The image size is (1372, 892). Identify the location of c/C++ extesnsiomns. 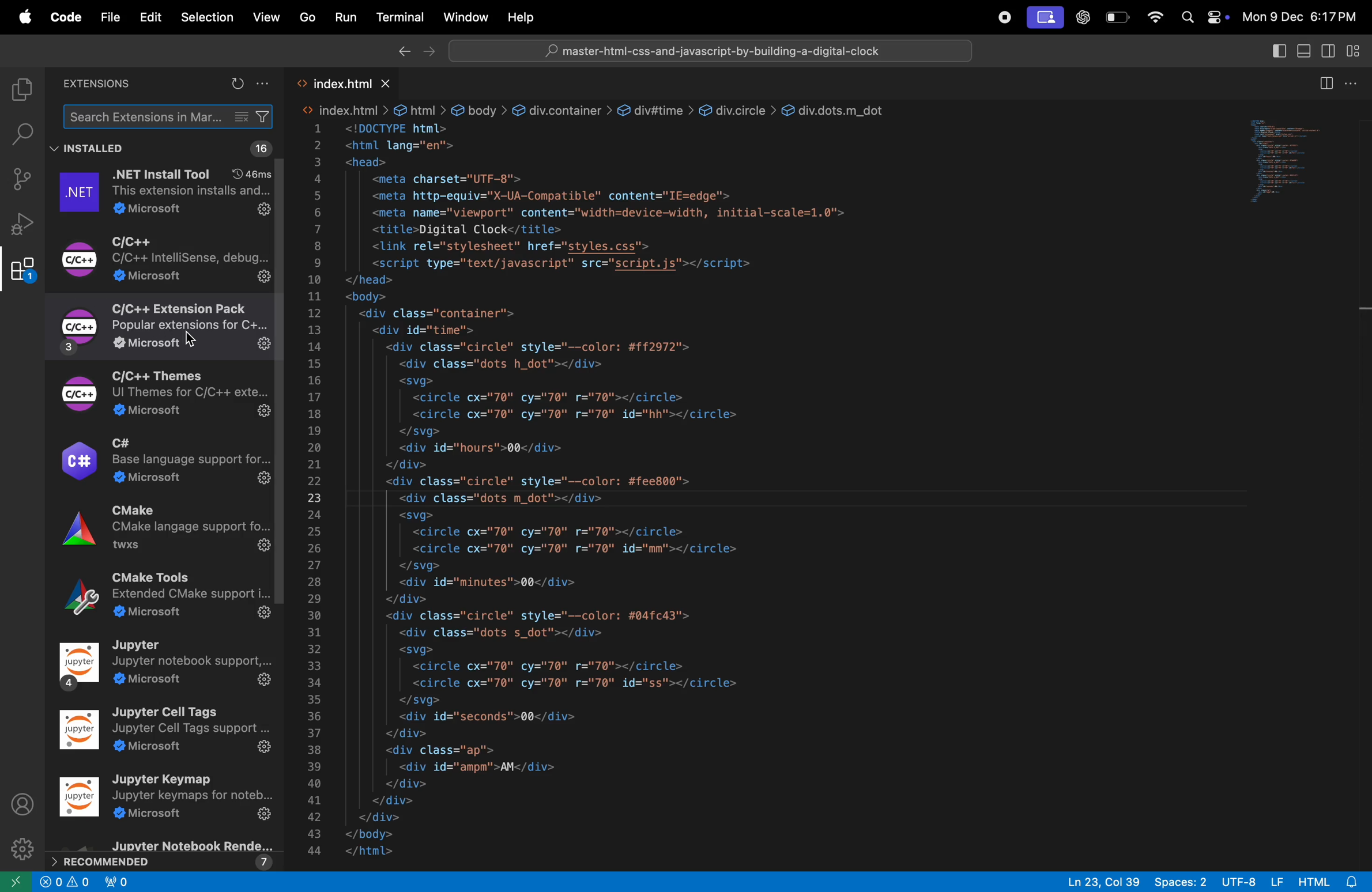
(168, 259).